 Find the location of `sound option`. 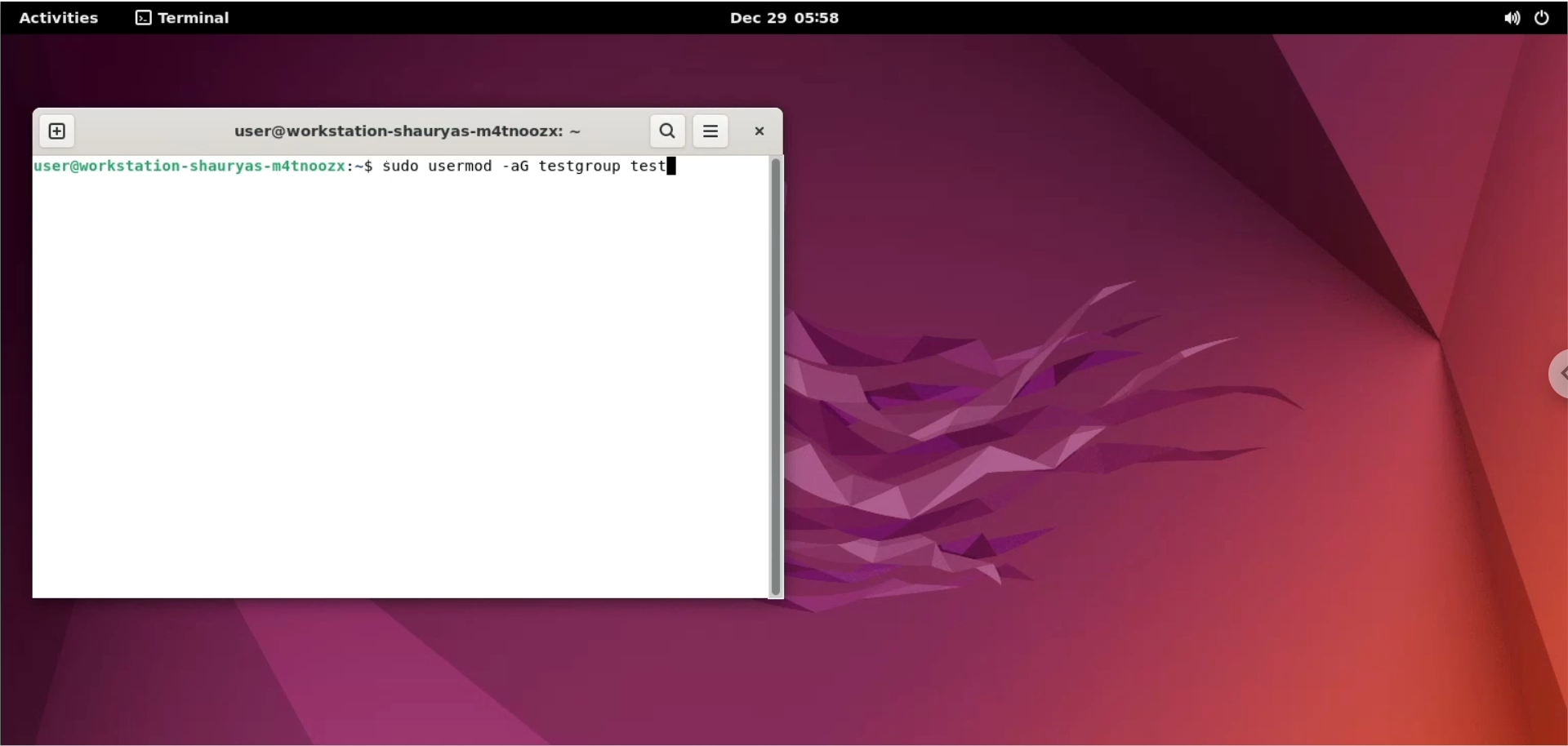

sound option is located at coordinates (1510, 20).